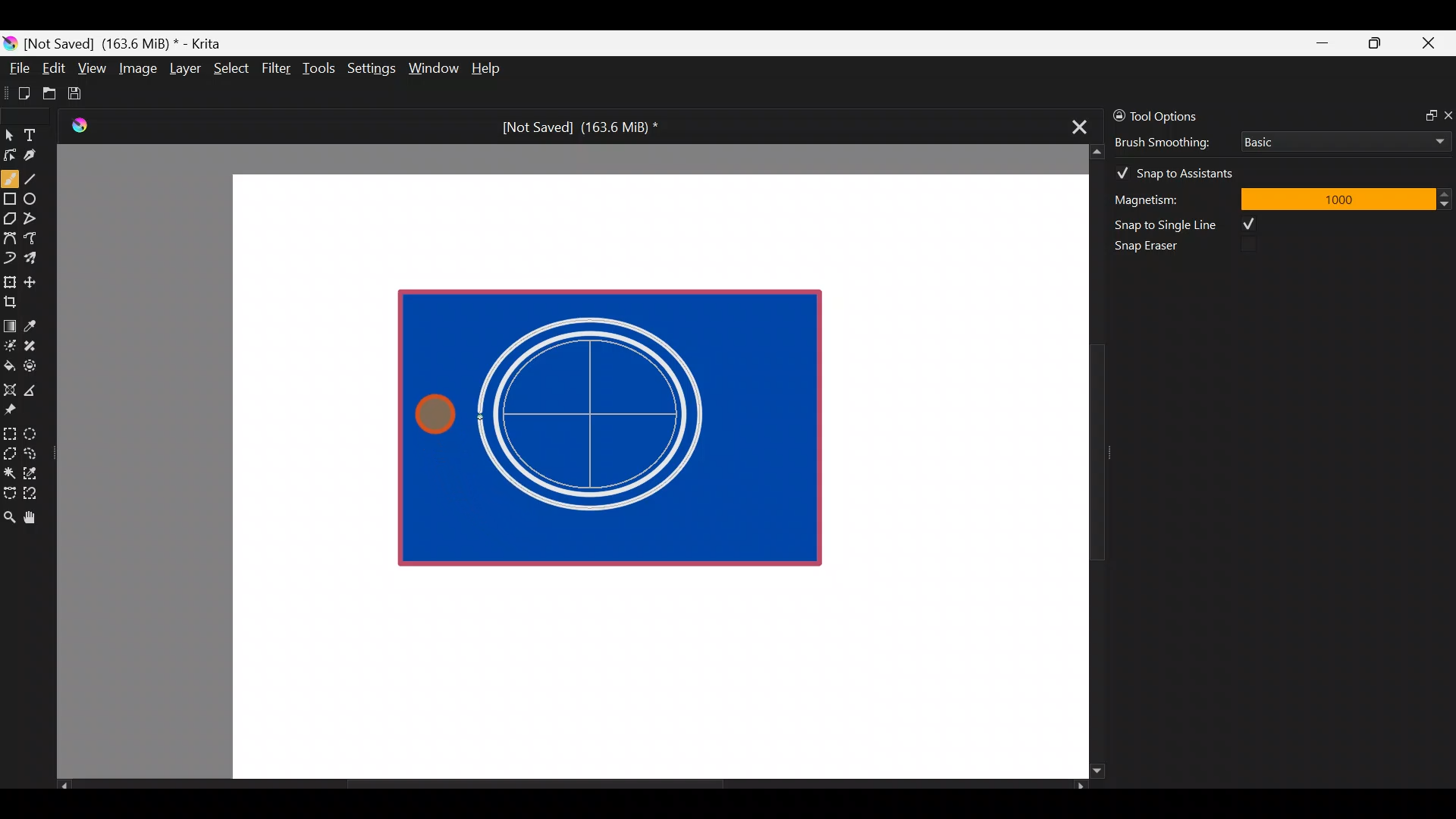 The width and height of the screenshot is (1456, 819). I want to click on Float docker, so click(1424, 114).